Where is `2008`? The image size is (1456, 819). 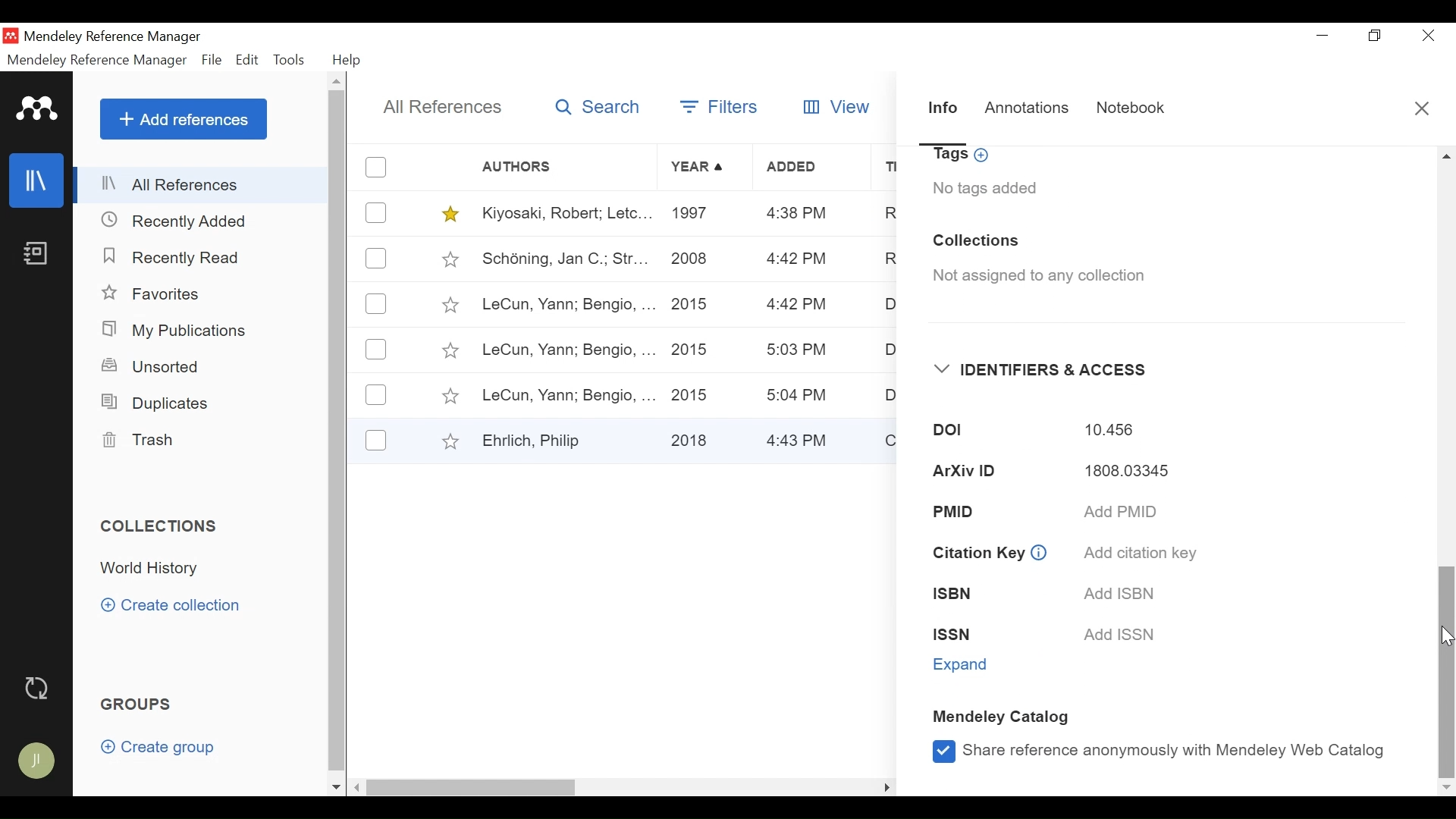
2008 is located at coordinates (691, 262).